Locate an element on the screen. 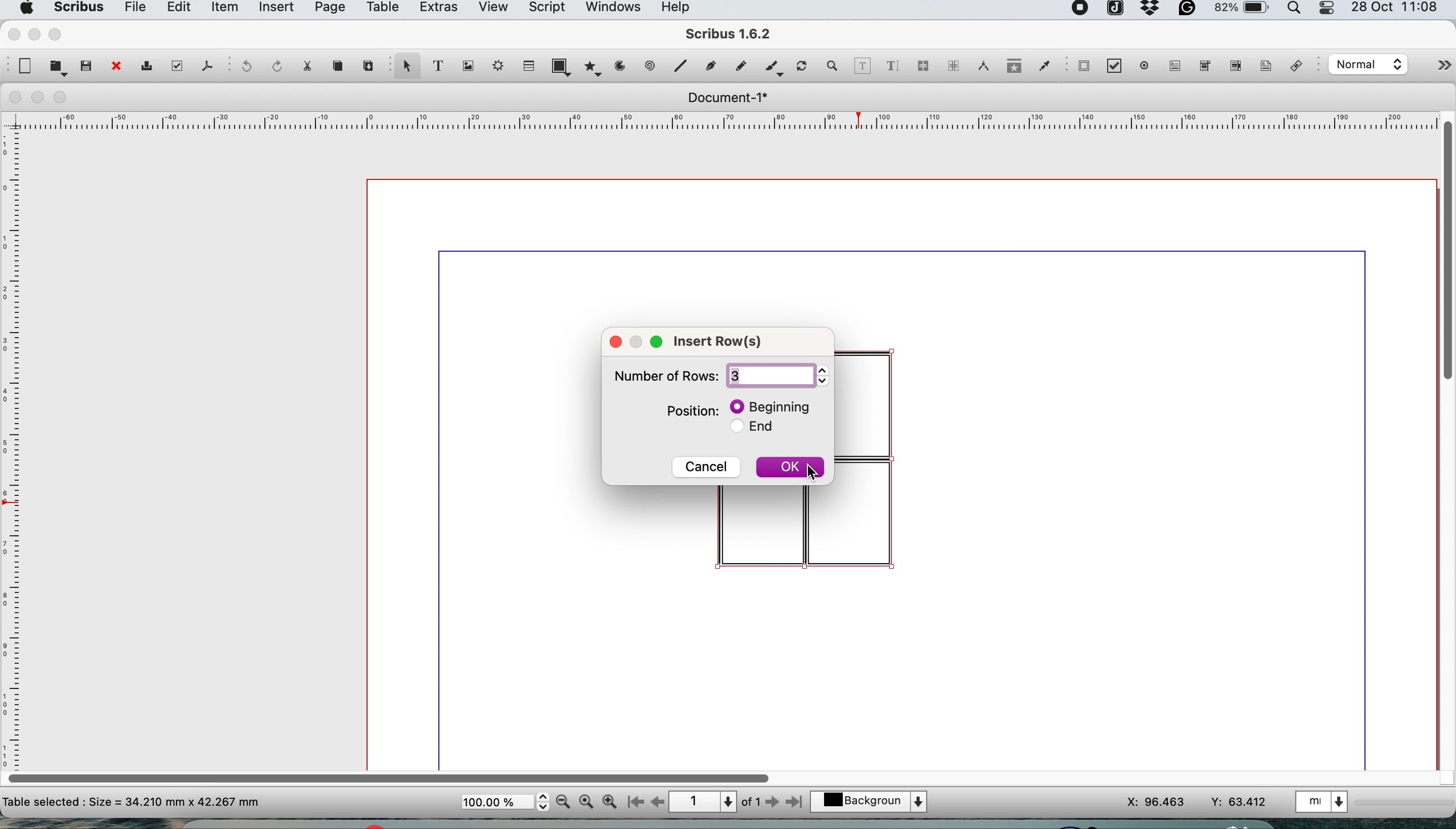 The width and height of the screenshot is (1456, 829). zoom in is located at coordinates (610, 802).